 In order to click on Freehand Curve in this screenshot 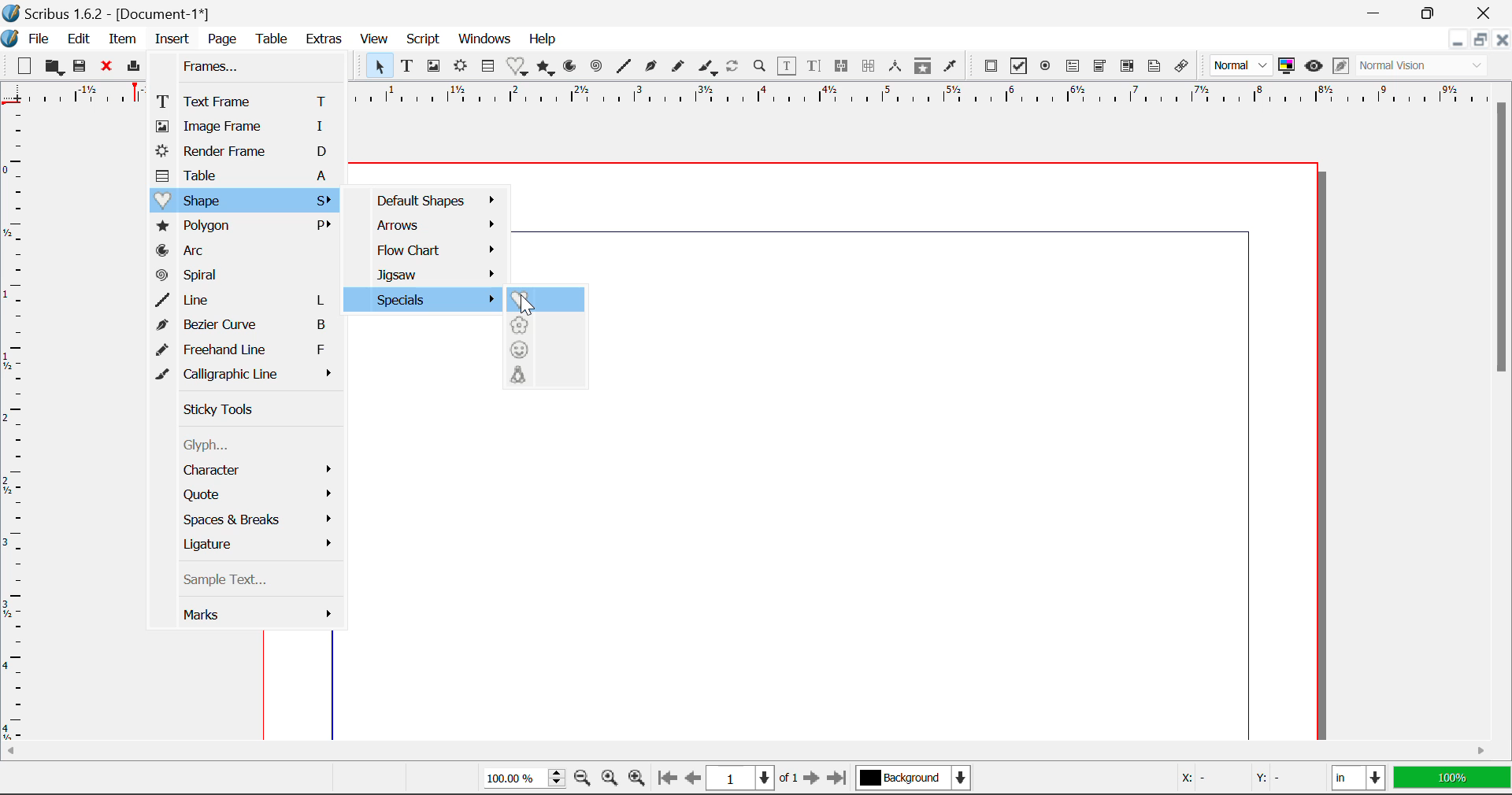, I will do `click(680, 66)`.